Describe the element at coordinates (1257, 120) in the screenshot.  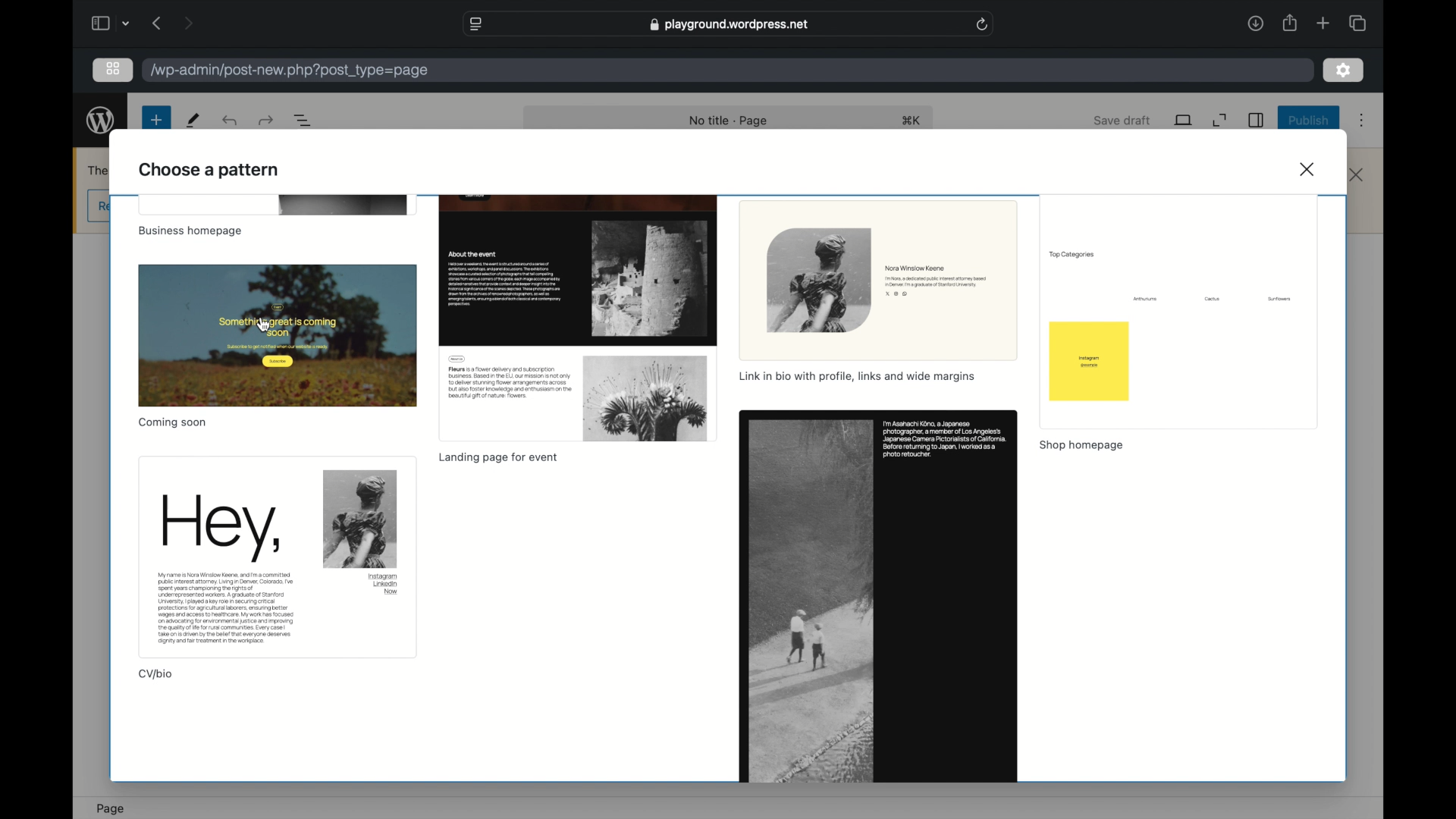
I see `sidebar` at that location.